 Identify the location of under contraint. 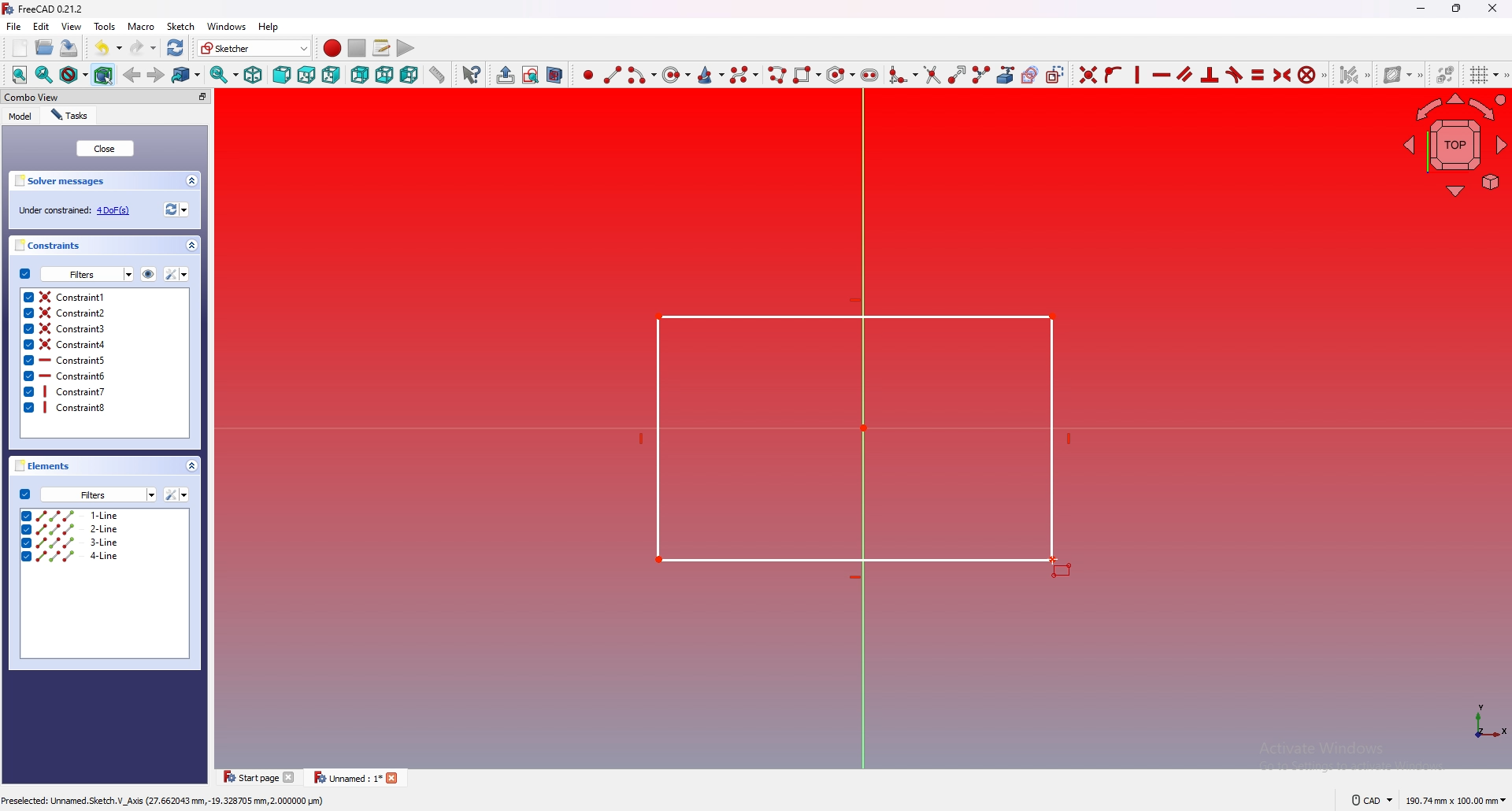
(75, 210).